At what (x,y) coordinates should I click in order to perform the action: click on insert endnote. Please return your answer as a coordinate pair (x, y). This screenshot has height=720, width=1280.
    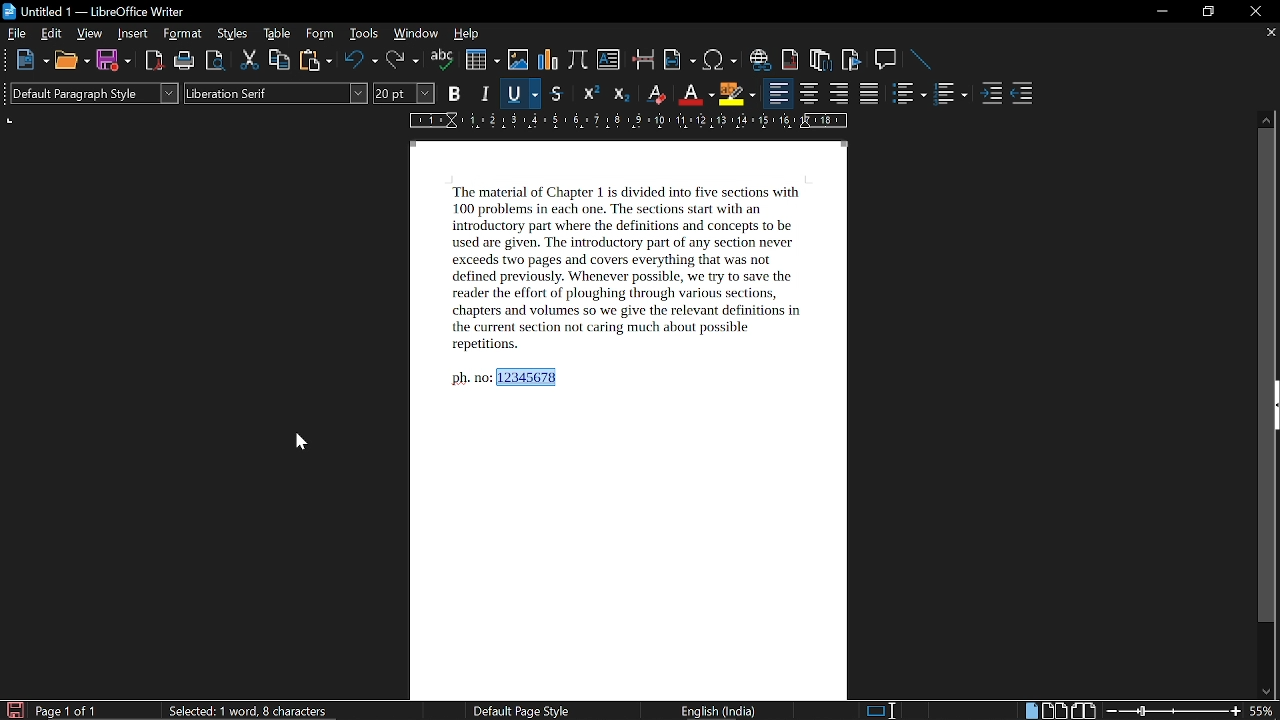
    Looking at the image, I should click on (822, 59).